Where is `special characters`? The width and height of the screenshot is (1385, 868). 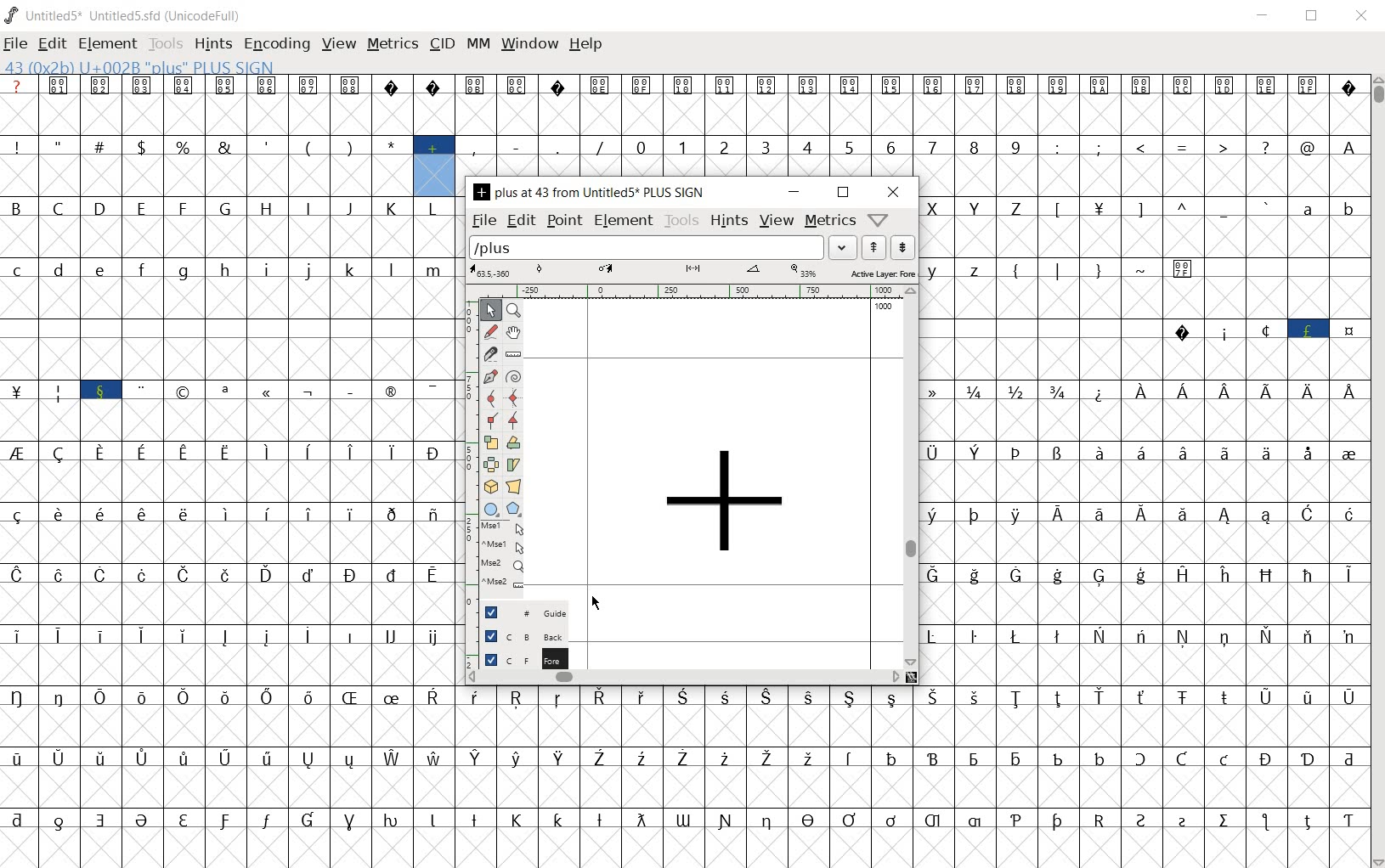
special characters is located at coordinates (1000, 471).